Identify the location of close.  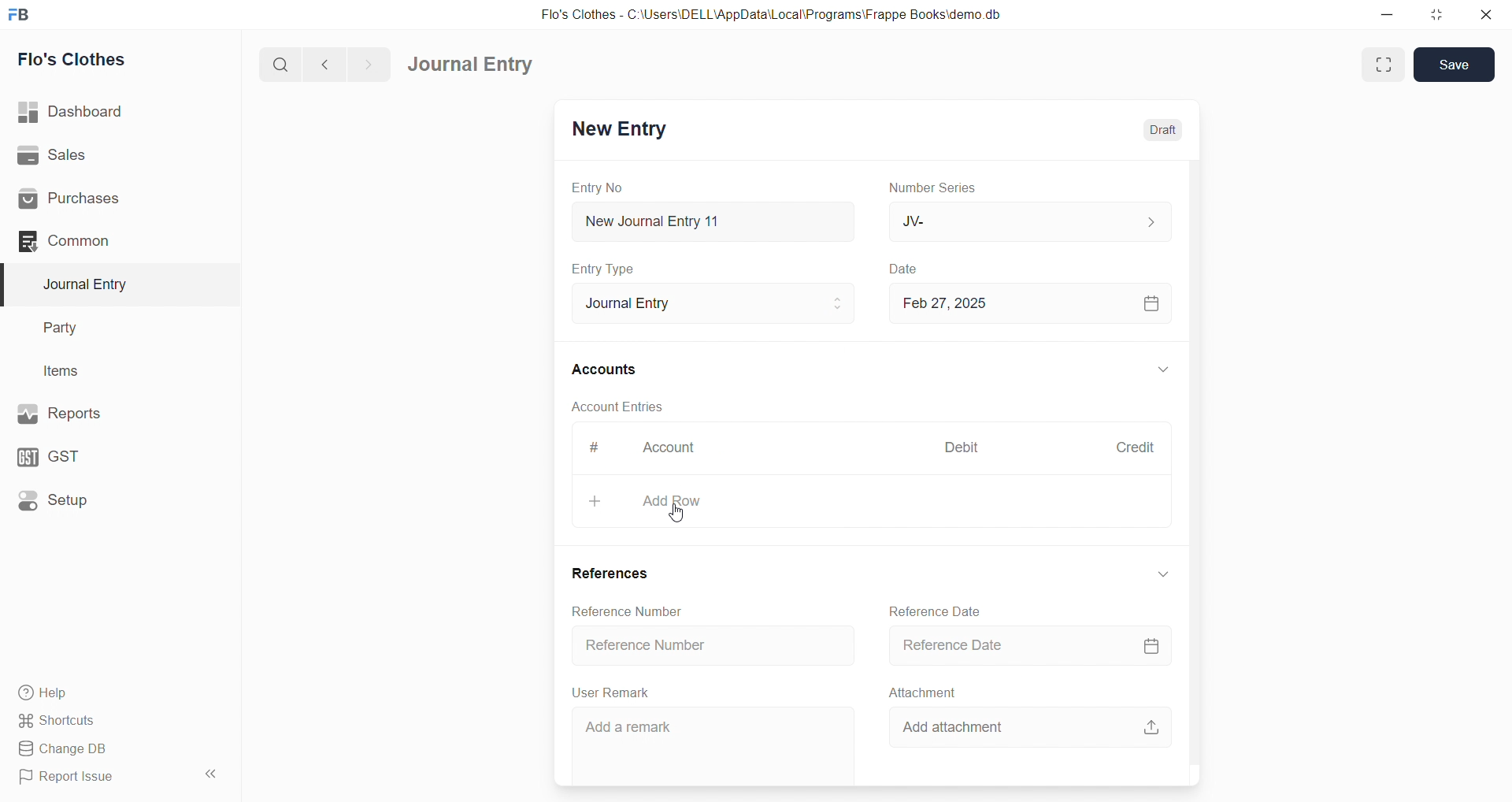
(1488, 14).